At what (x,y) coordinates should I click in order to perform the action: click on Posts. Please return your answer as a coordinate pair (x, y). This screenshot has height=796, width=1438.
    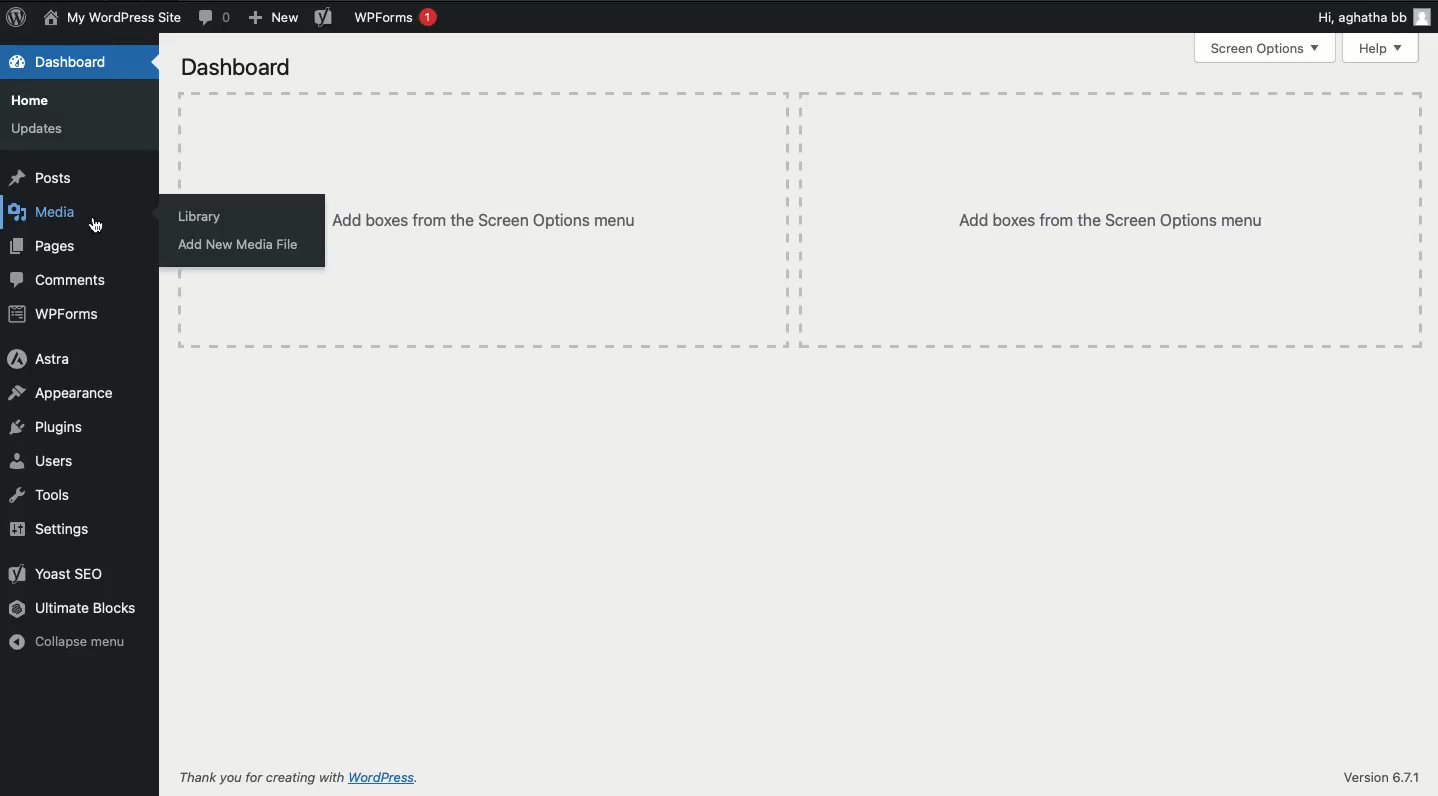
    Looking at the image, I should click on (42, 176).